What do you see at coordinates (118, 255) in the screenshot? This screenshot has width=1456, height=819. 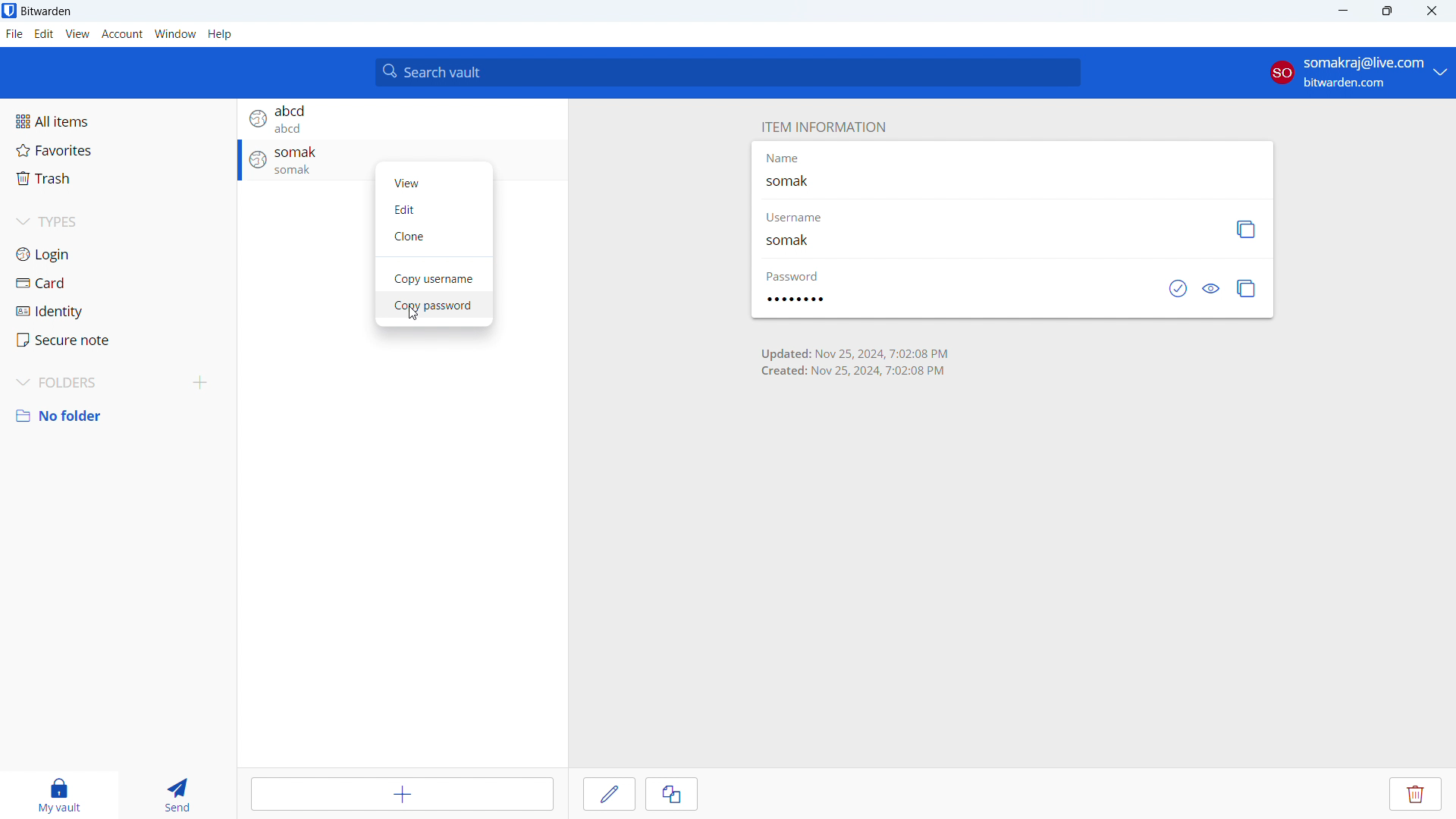 I see `login` at bounding box center [118, 255].